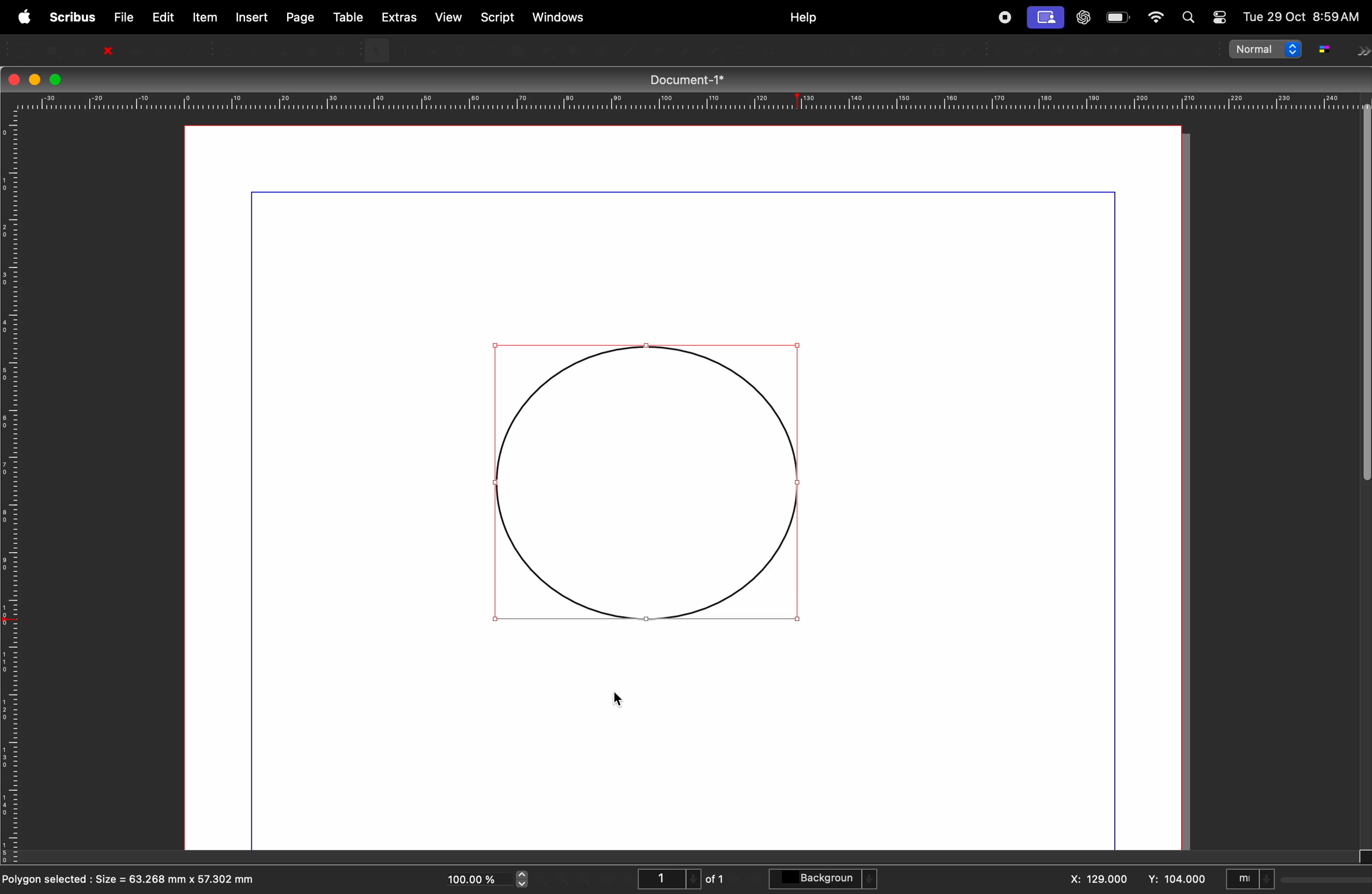 The width and height of the screenshot is (1372, 894). What do you see at coordinates (826, 880) in the screenshot?
I see `background` at bounding box center [826, 880].